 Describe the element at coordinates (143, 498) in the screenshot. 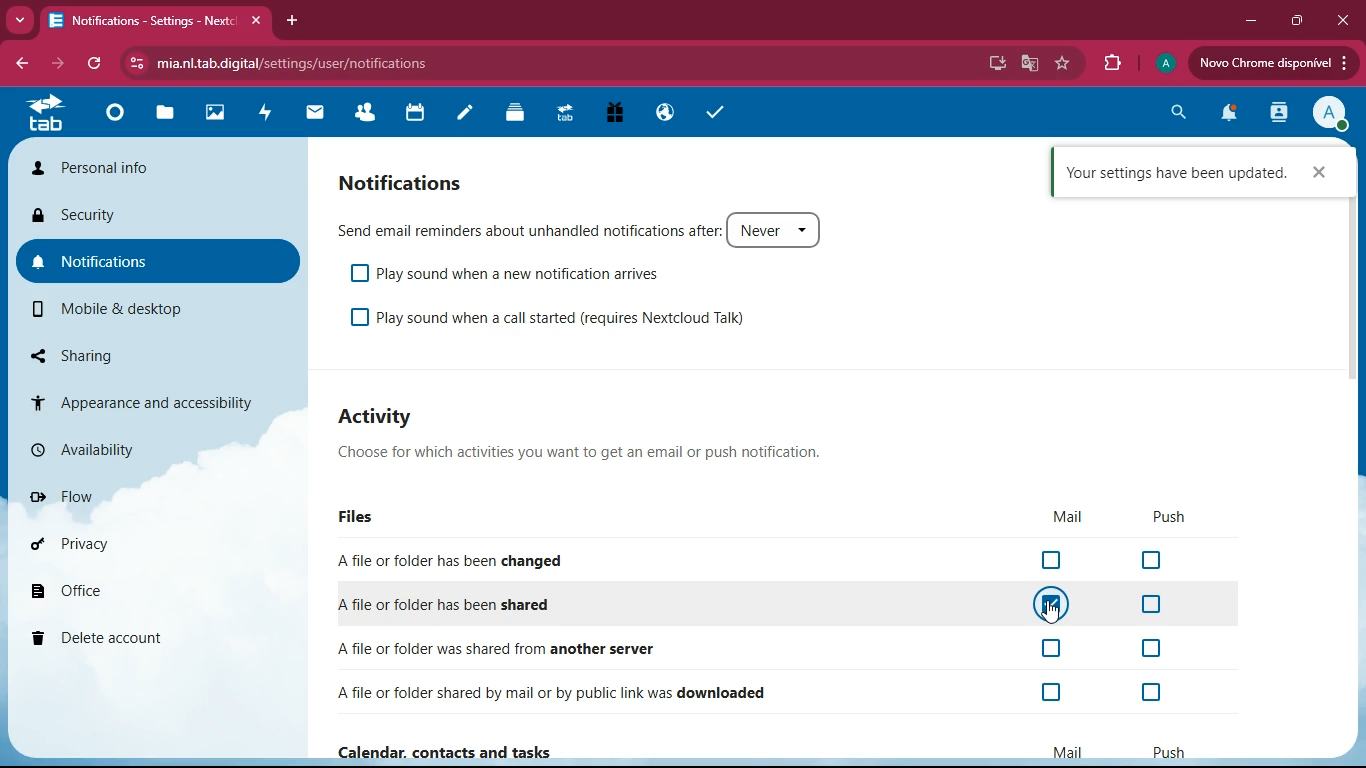

I see `flow` at that location.